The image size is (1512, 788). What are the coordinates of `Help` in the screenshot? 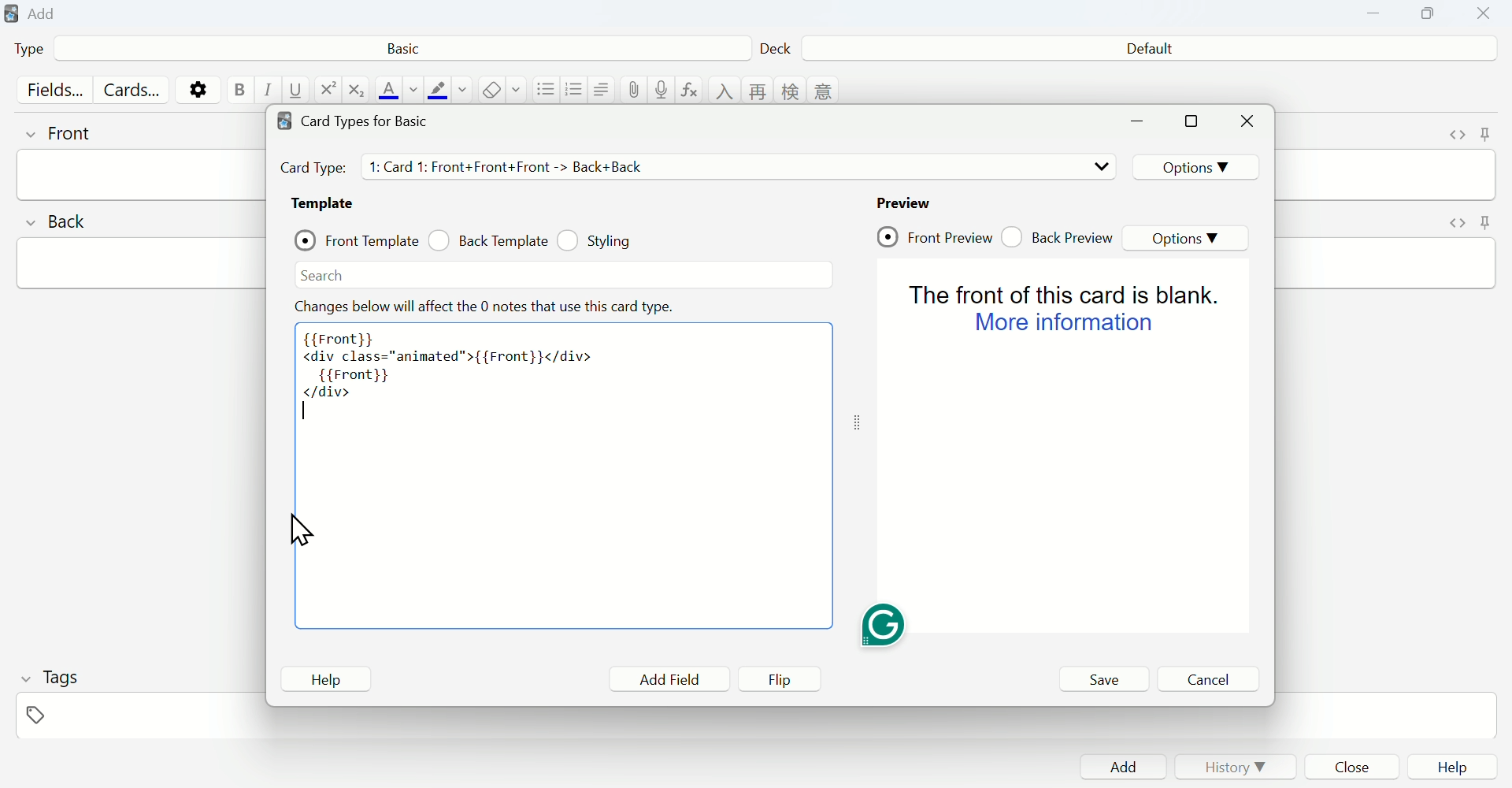 It's located at (1453, 767).